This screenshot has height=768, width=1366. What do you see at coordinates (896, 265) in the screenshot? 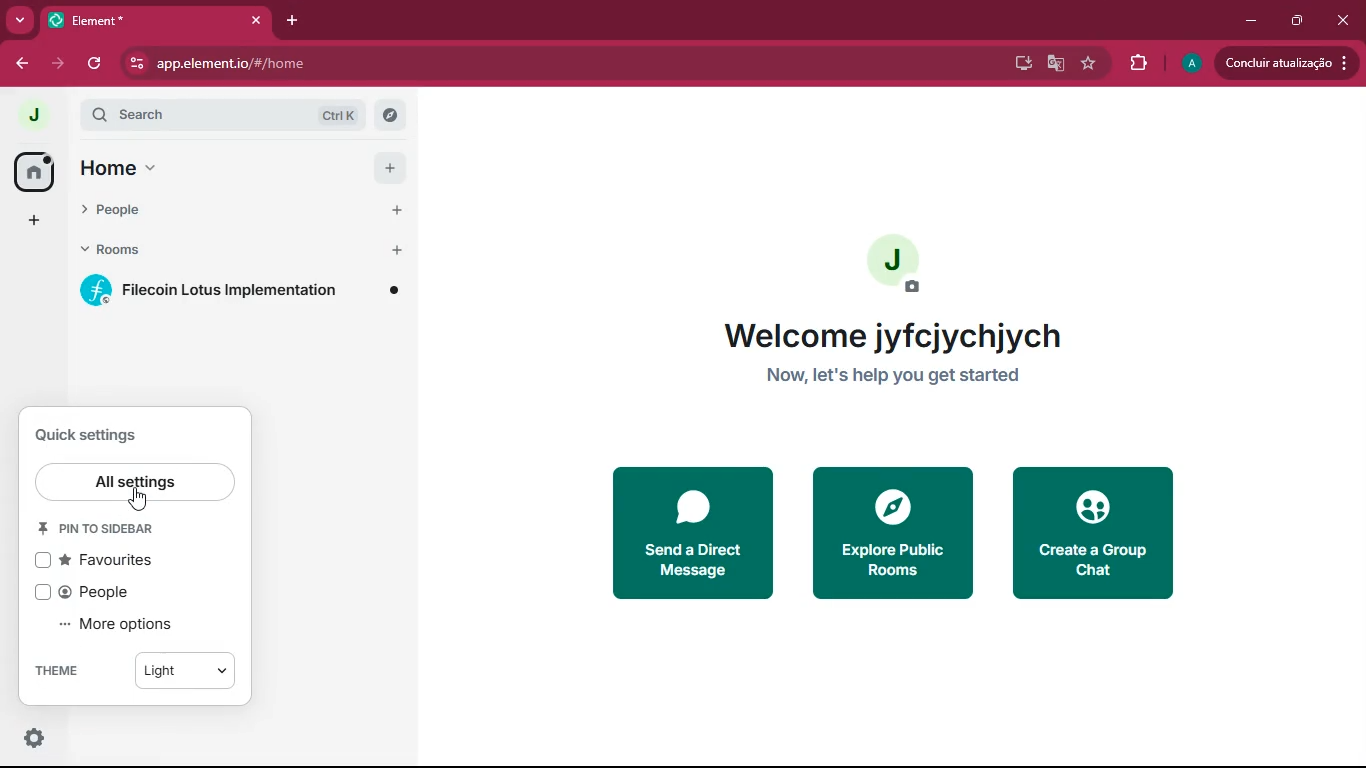
I see `profile picture` at bounding box center [896, 265].